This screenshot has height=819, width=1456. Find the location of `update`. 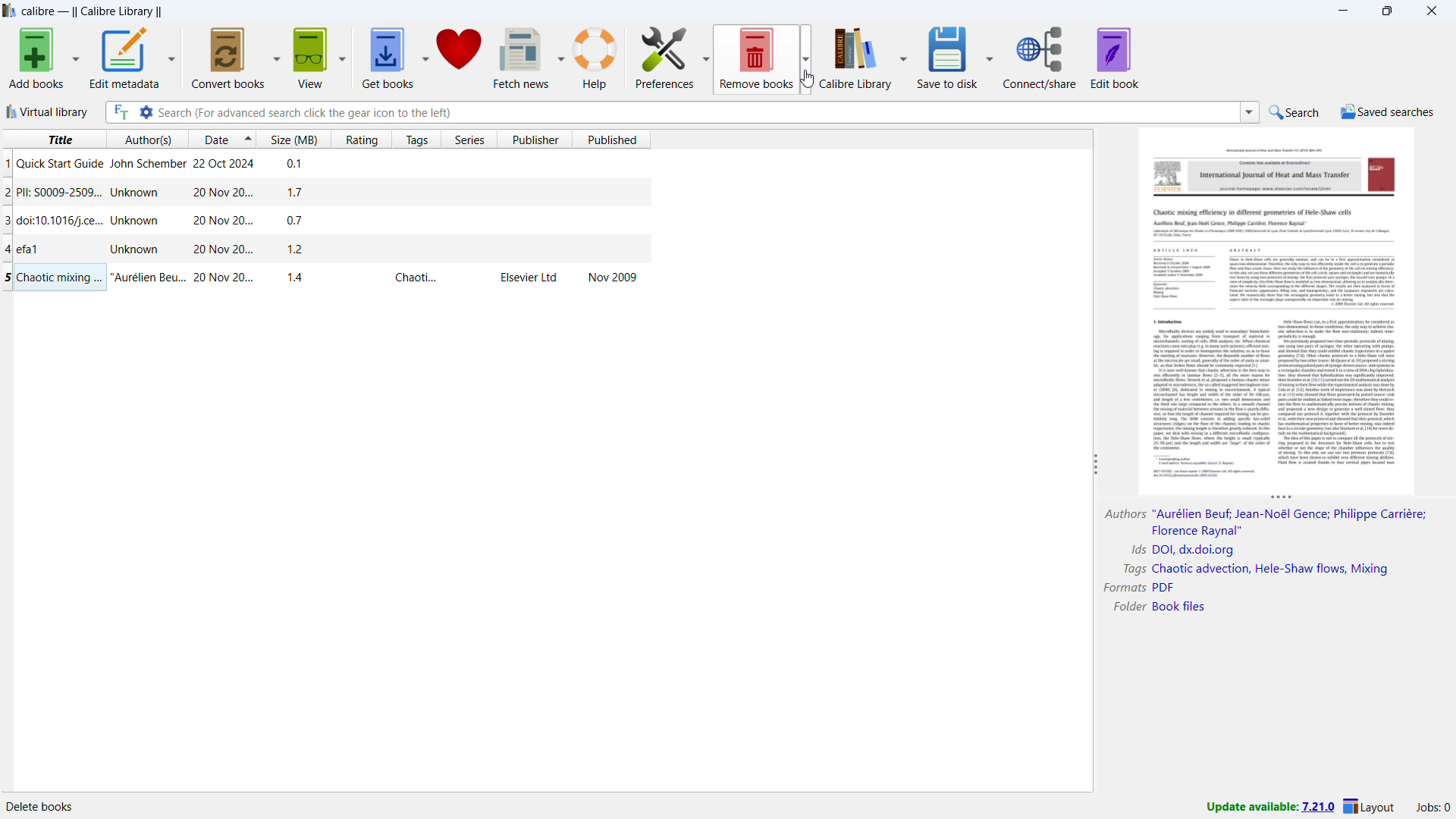

update is located at coordinates (1269, 808).